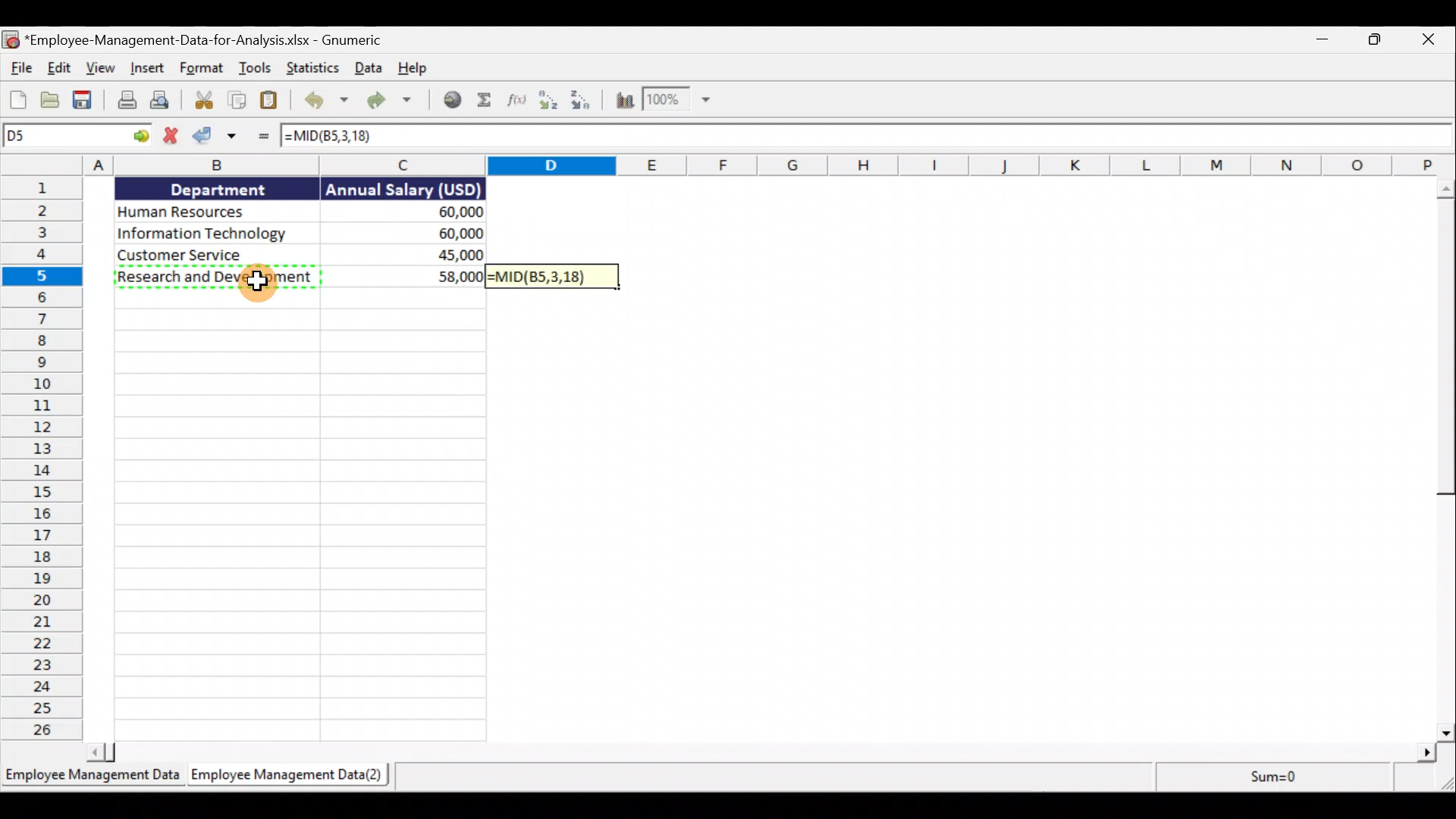  I want to click on View, so click(102, 69).